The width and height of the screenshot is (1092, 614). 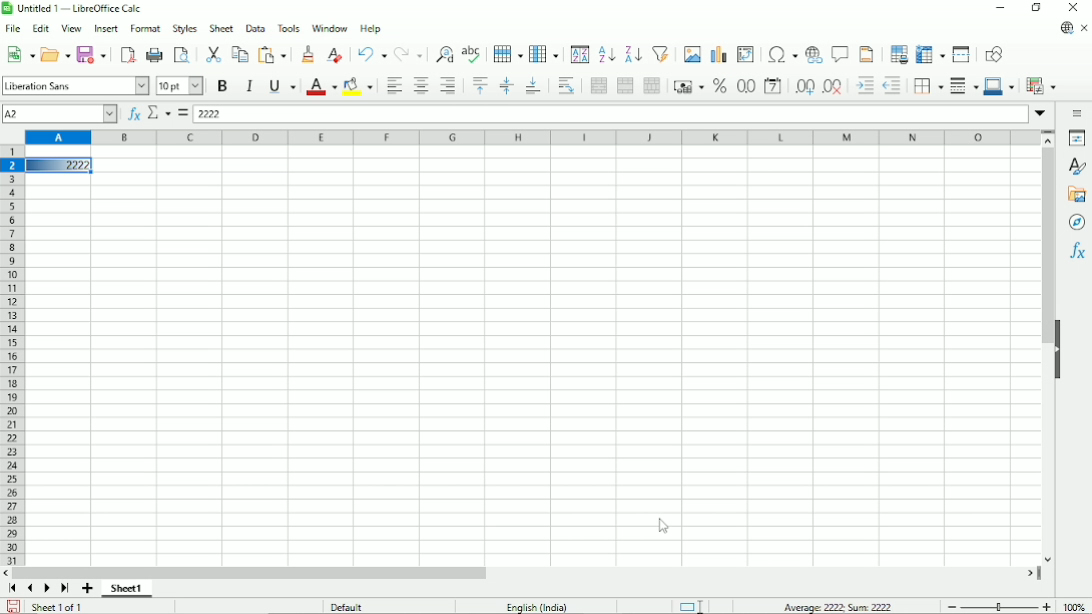 I want to click on text Language, so click(x=537, y=607).